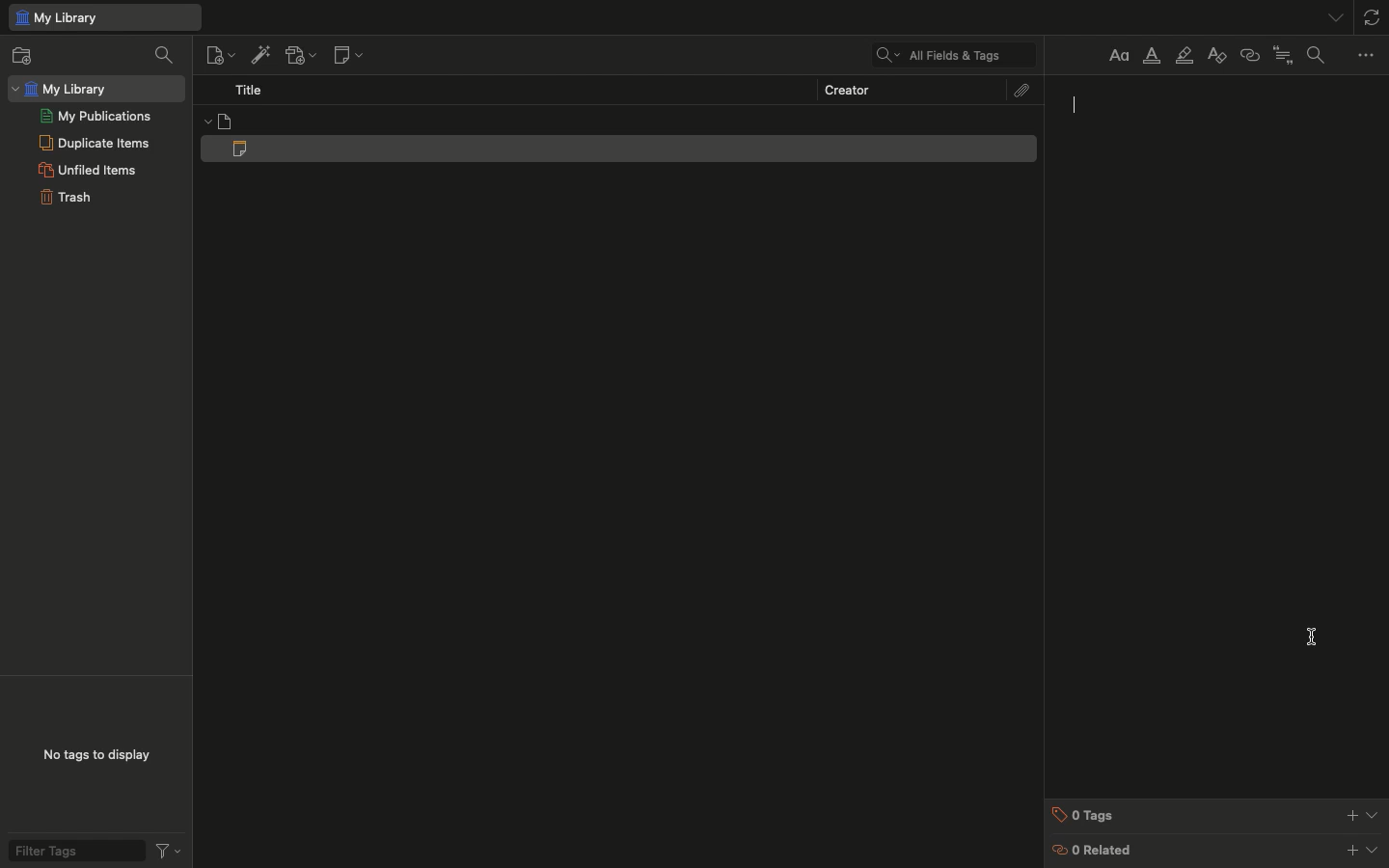  Describe the element at coordinates (1217, 851) in the screenshot. I see `related` at that location.